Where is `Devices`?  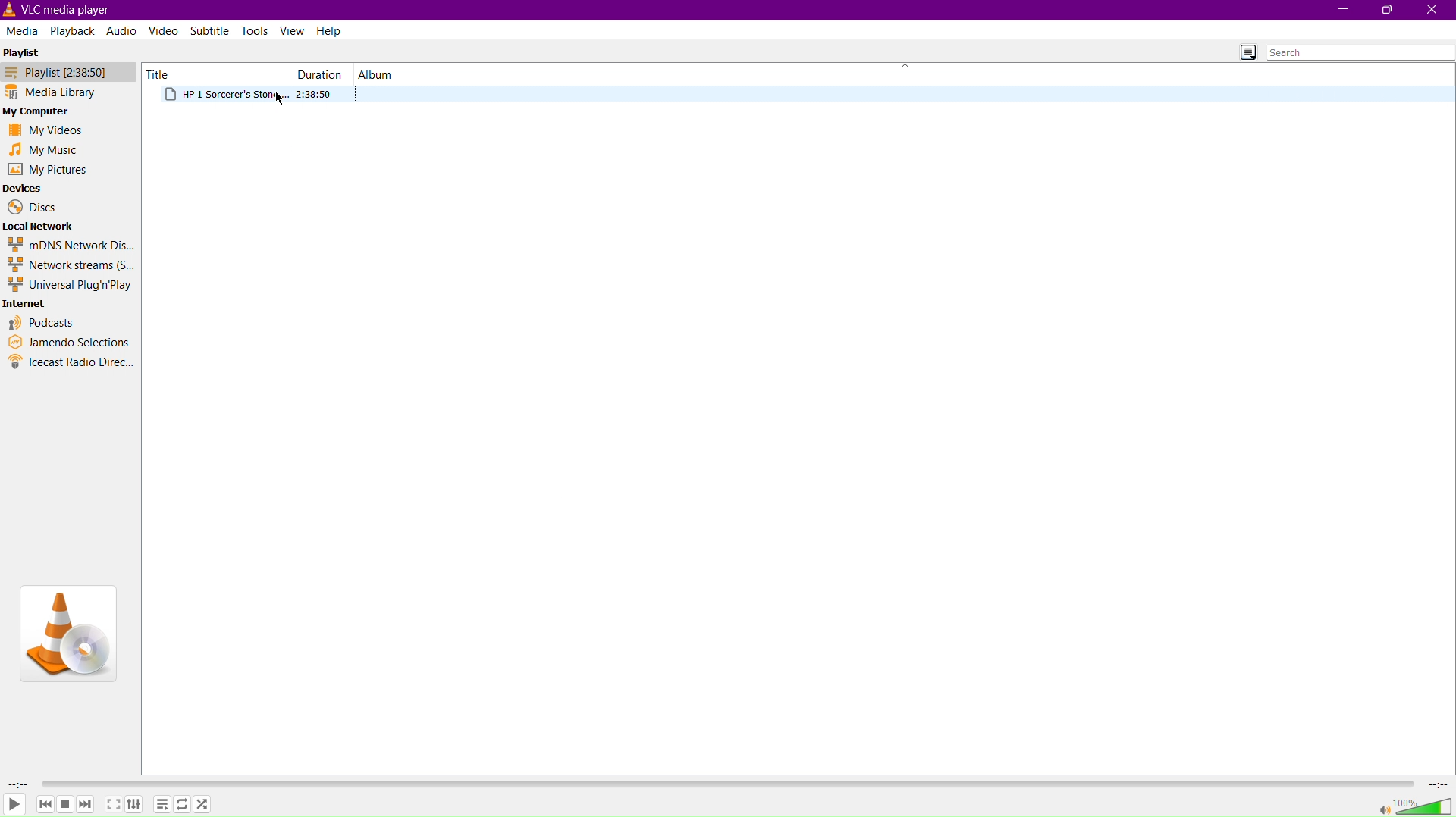
Devices is located at coordinates (26, 188).